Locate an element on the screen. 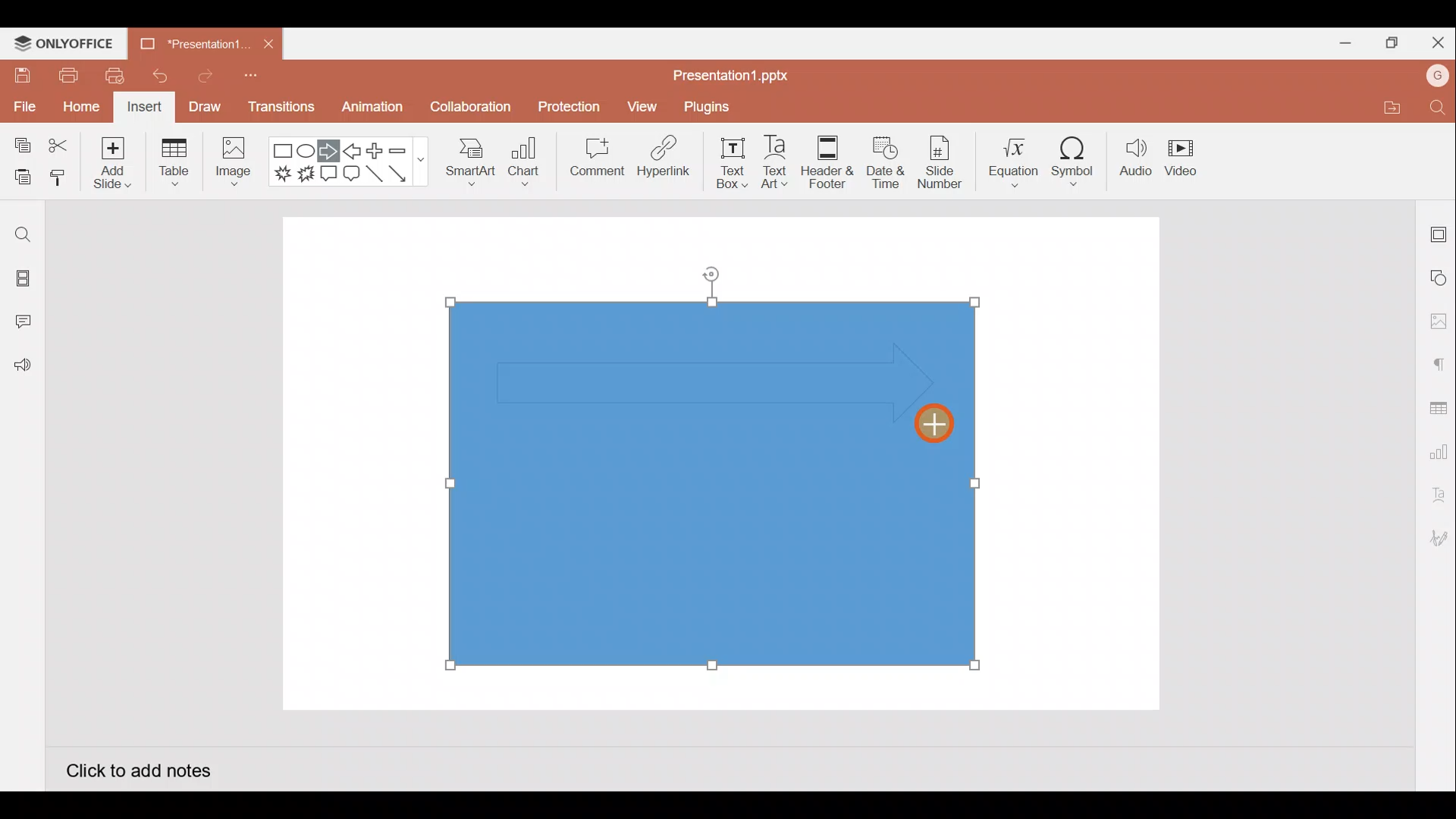 This screenshot has width=1456, height=819. Insert is located at coordinates (145, 108).